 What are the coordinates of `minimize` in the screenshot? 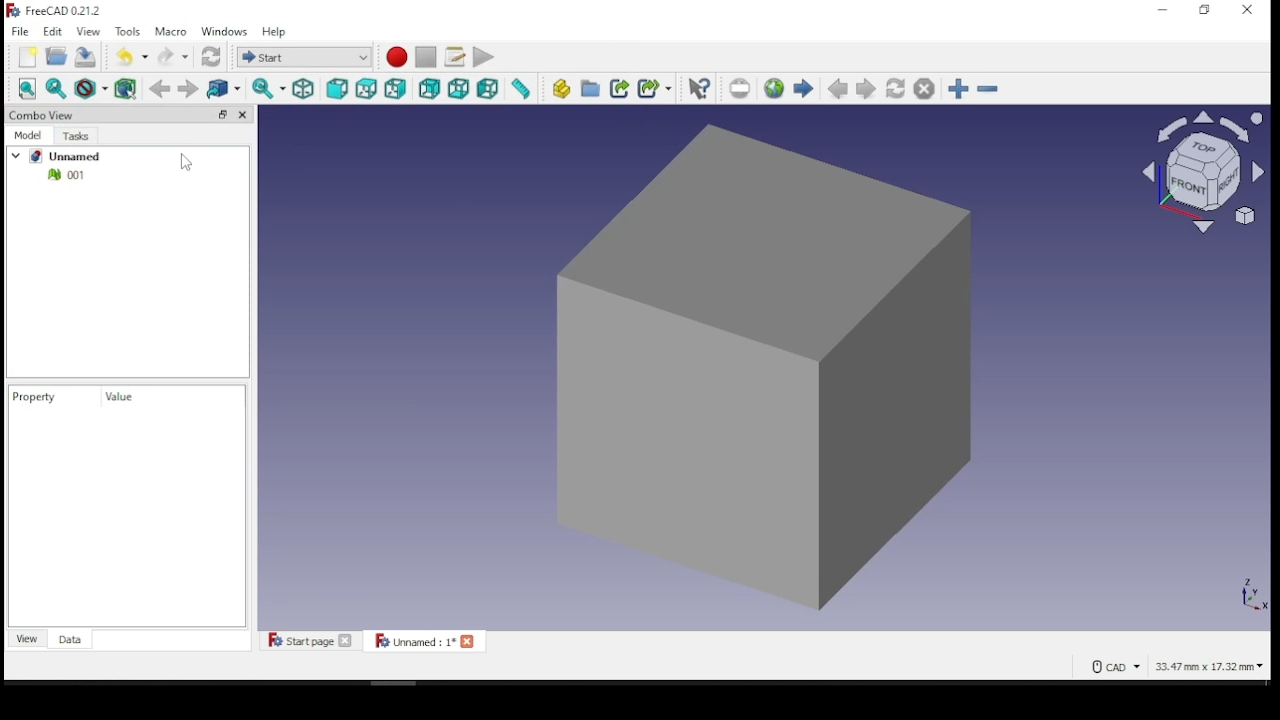 It's located at (1160, 11).